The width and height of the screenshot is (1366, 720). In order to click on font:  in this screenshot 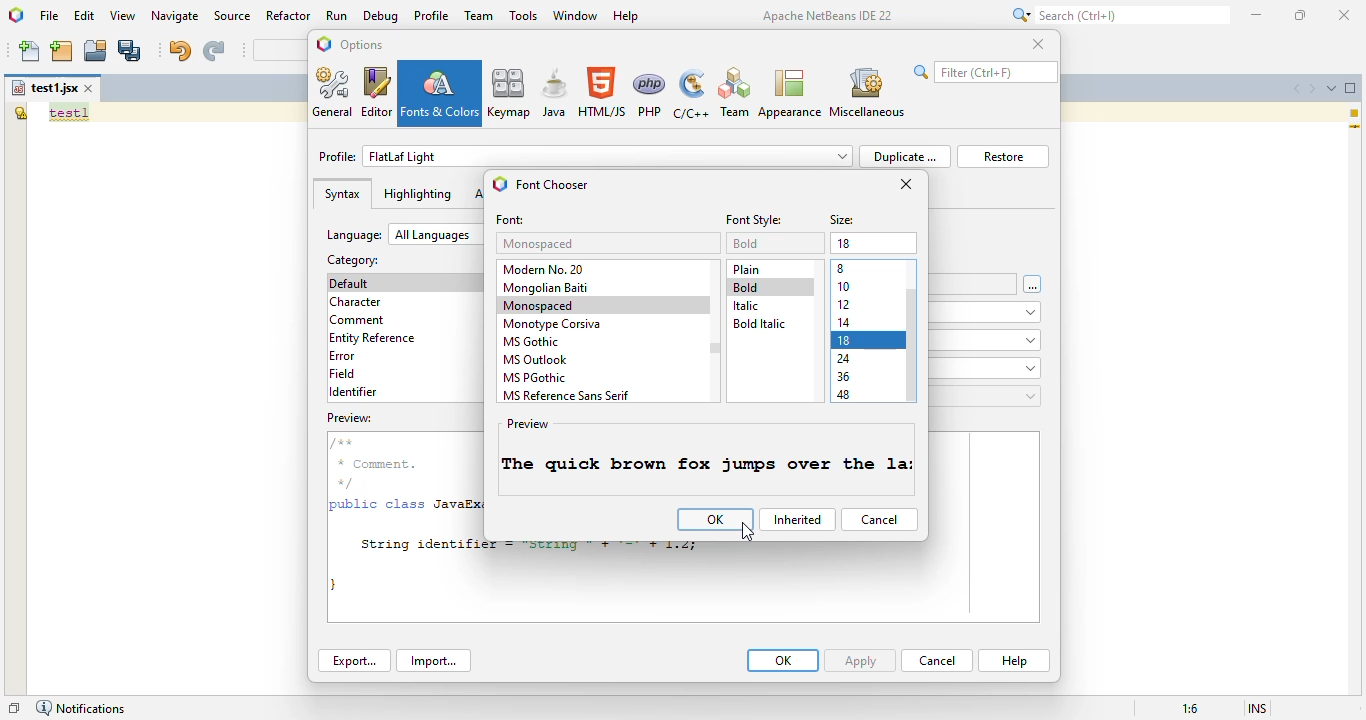, I will do `click(511, 221)`.